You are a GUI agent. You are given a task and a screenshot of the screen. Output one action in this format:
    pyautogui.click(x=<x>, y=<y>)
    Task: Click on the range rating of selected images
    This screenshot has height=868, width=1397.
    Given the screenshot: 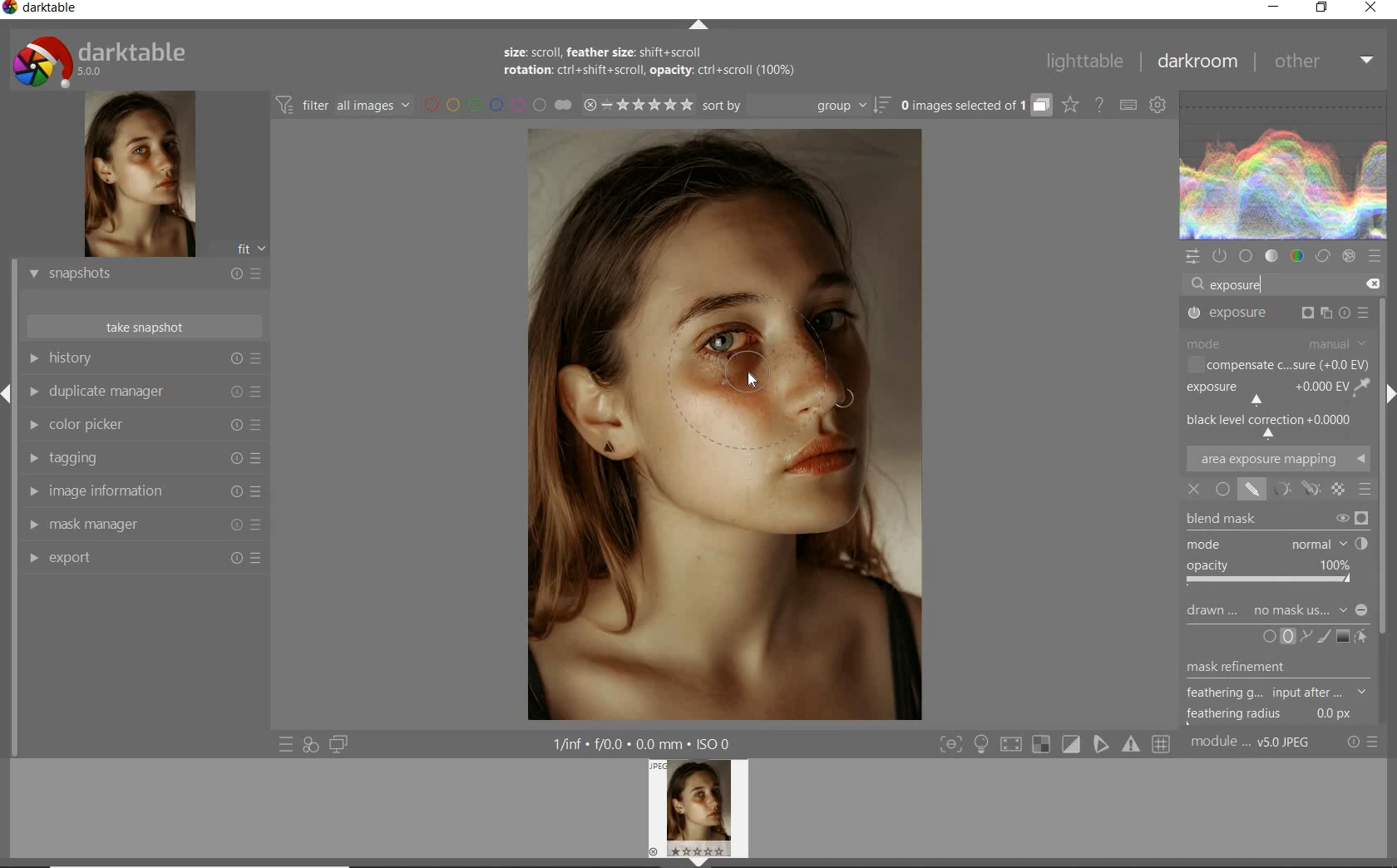 What is the action you would take?
    pyautogui.click(x=639, y=104)
    